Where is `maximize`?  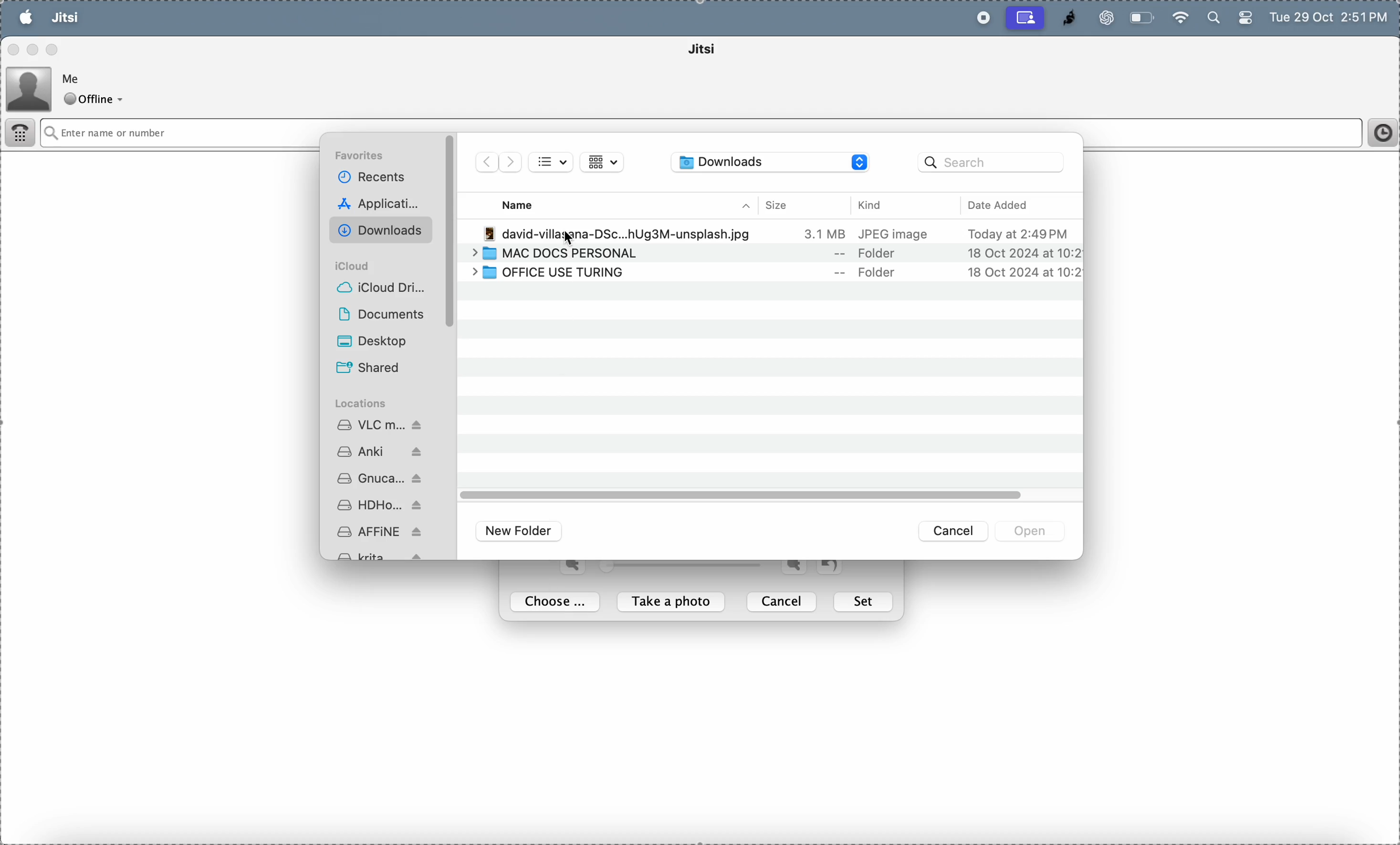 maximize is located at coordinates (53, 48).